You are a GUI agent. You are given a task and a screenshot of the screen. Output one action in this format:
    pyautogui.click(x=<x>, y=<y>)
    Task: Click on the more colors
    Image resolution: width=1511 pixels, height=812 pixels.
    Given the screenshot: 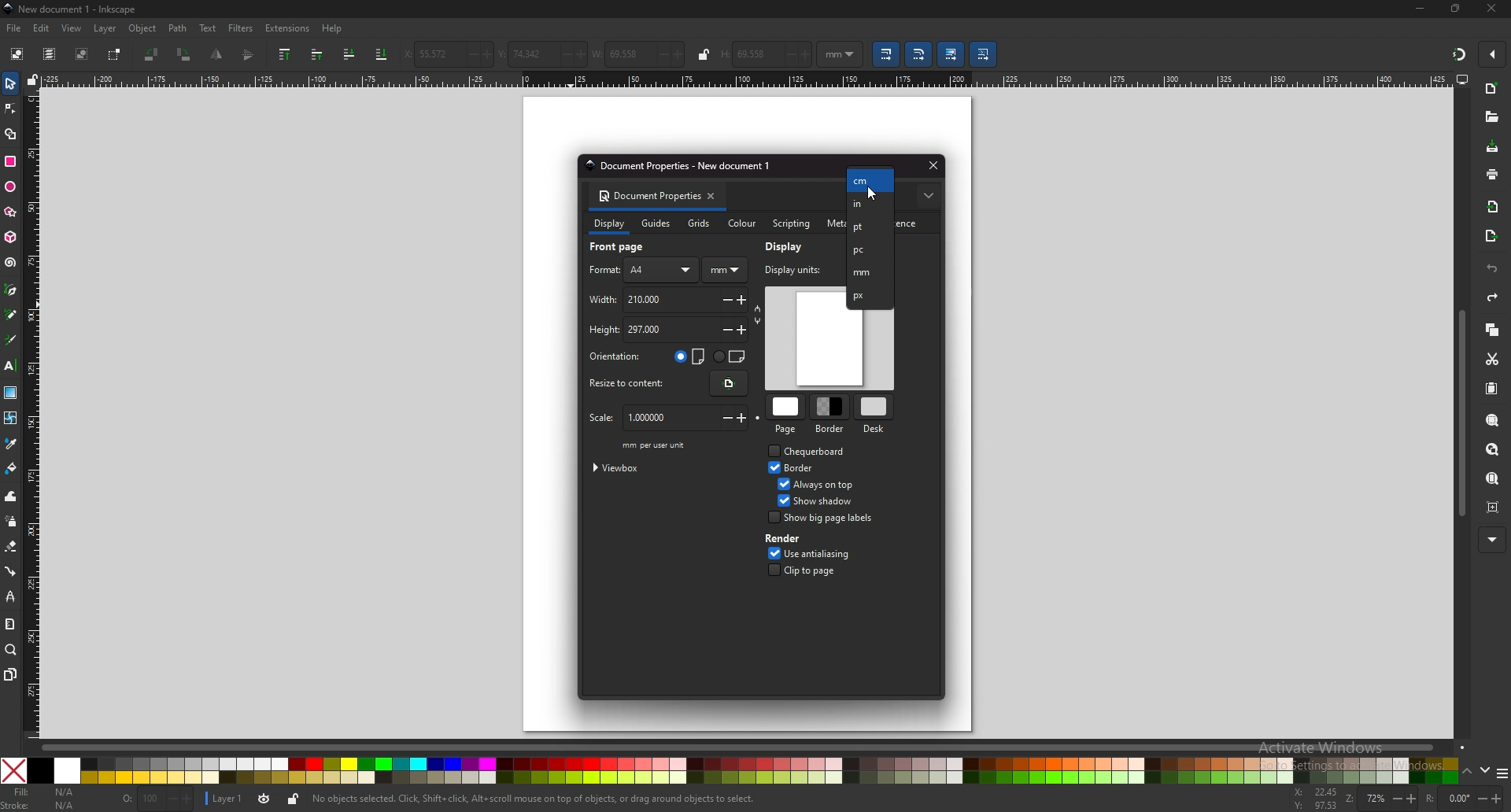 What is the action you would take?
    pyautogui.click(x=1502, y=771)
    